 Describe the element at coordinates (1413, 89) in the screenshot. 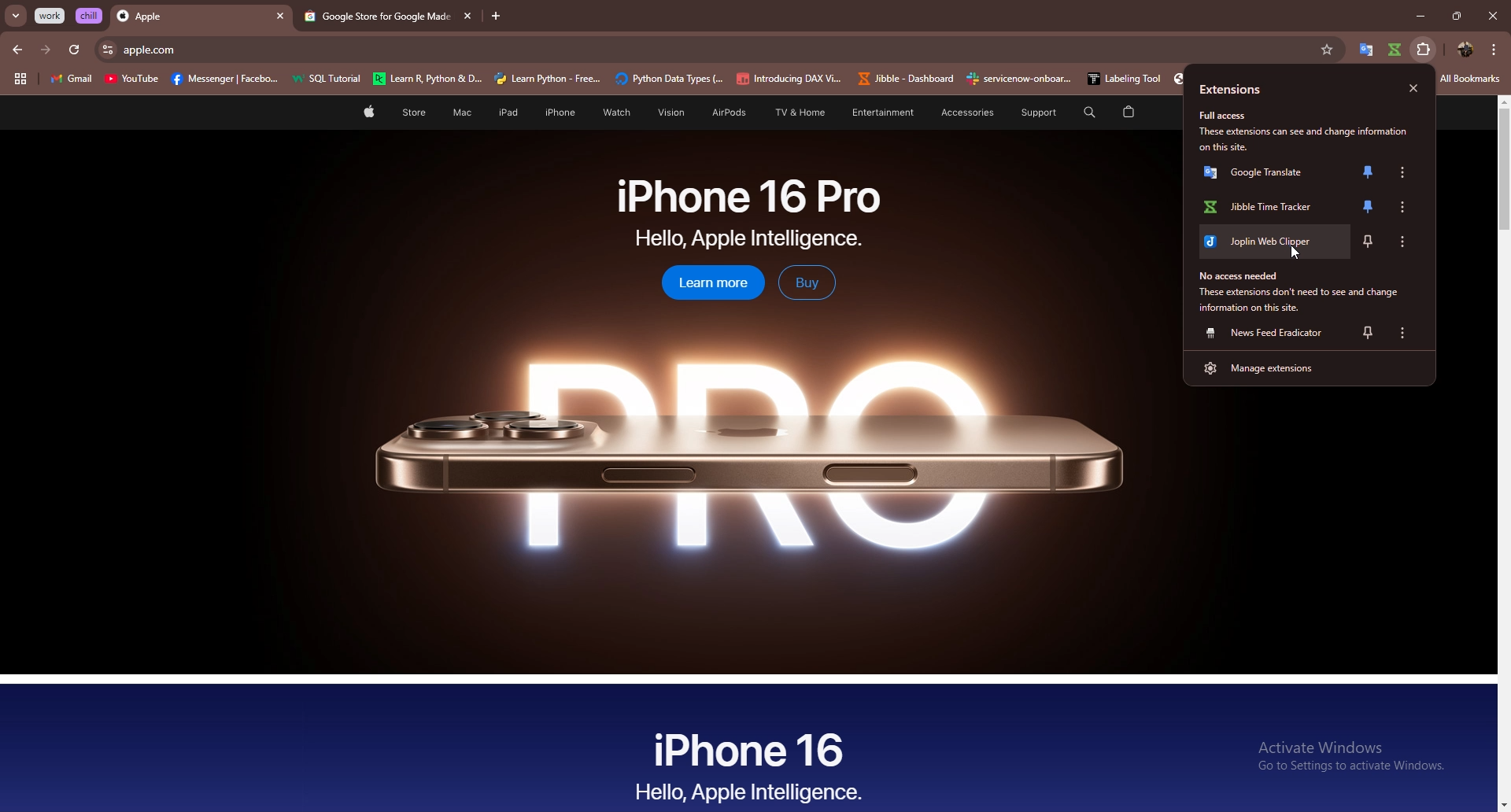

I see `close` at that location.